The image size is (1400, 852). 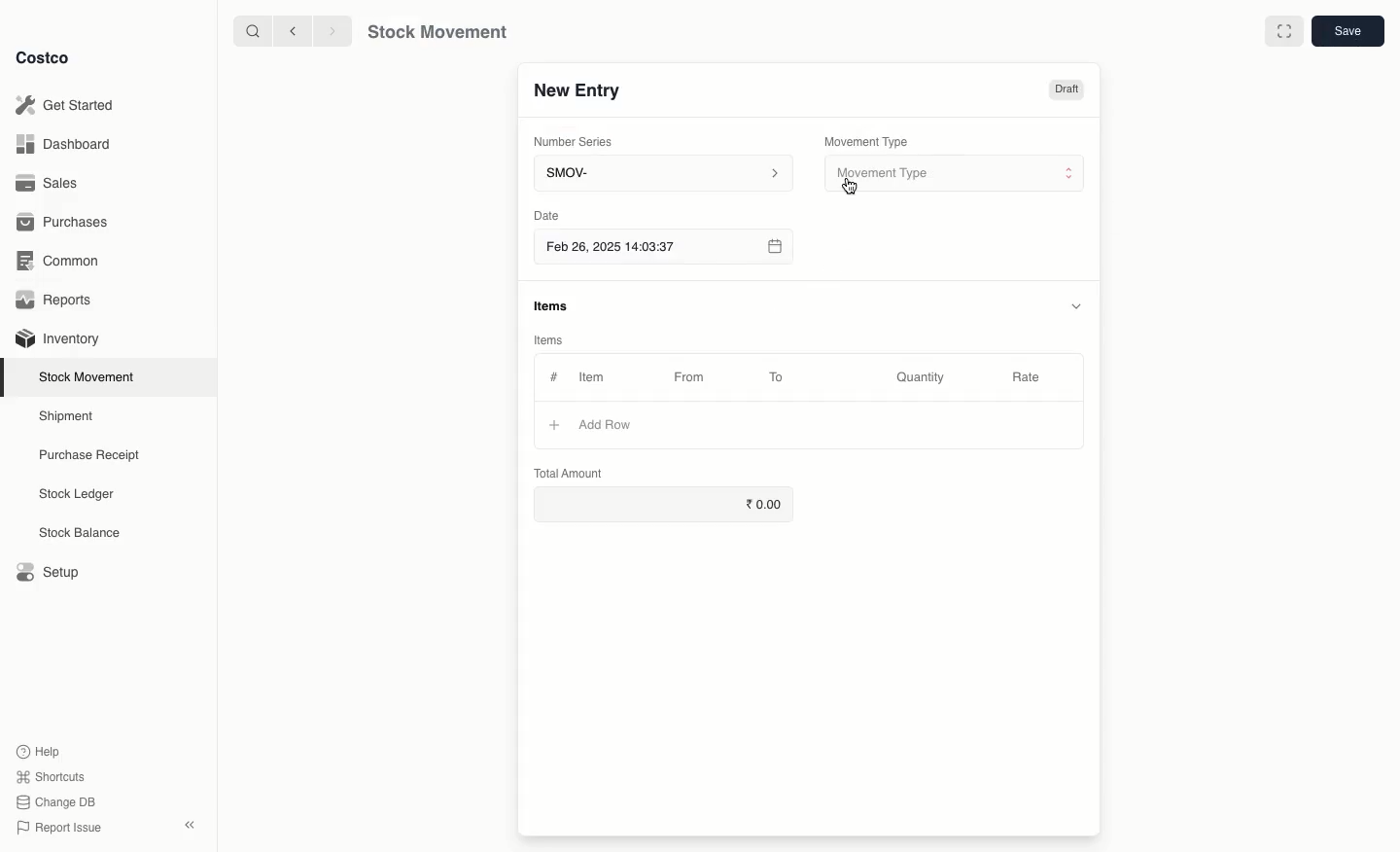 I want to click on Rate, so click(x=1027, y=374).